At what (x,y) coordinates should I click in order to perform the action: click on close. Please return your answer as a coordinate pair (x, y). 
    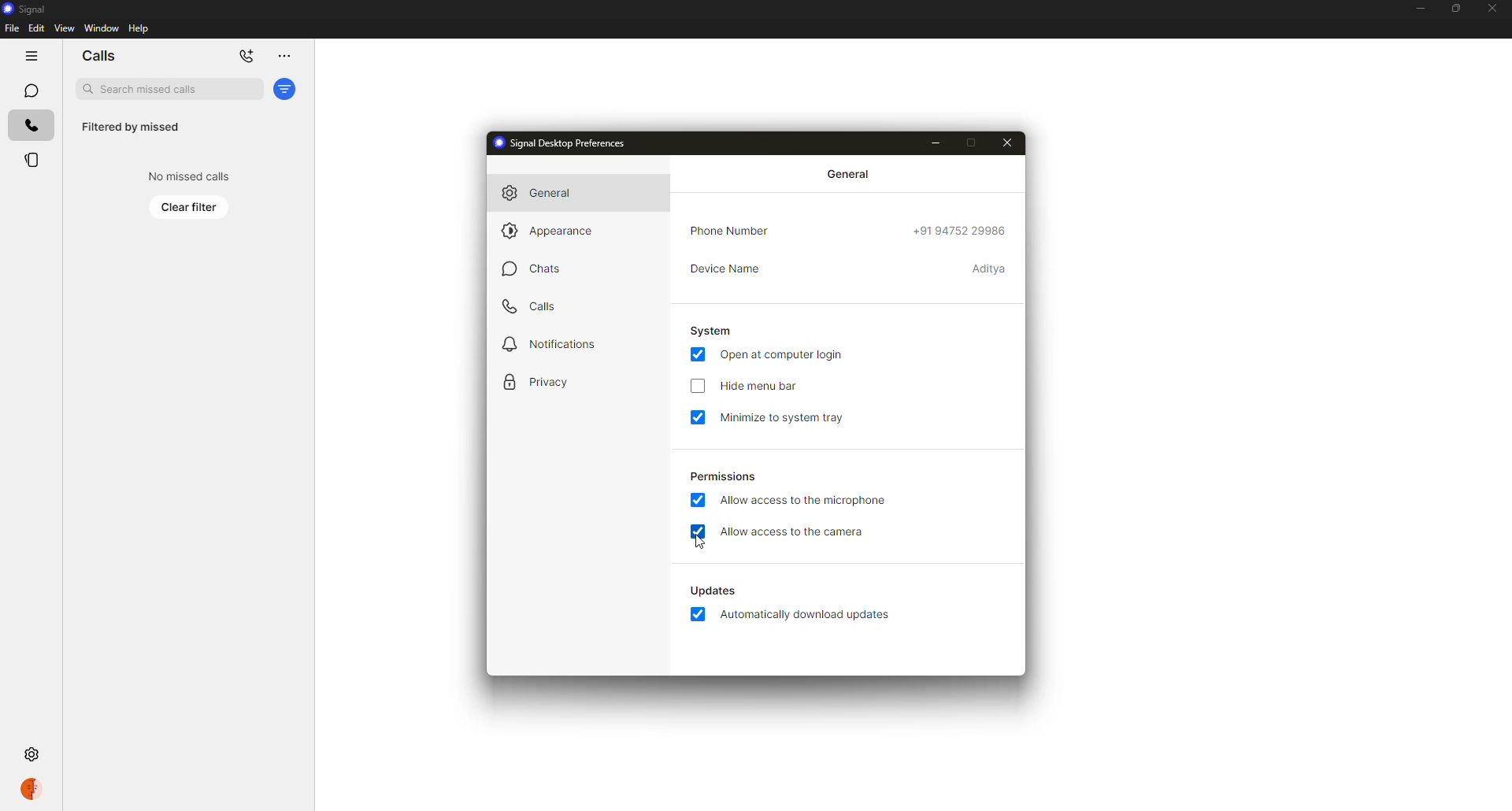
    Looking at the image, I should click on (1008, 143).